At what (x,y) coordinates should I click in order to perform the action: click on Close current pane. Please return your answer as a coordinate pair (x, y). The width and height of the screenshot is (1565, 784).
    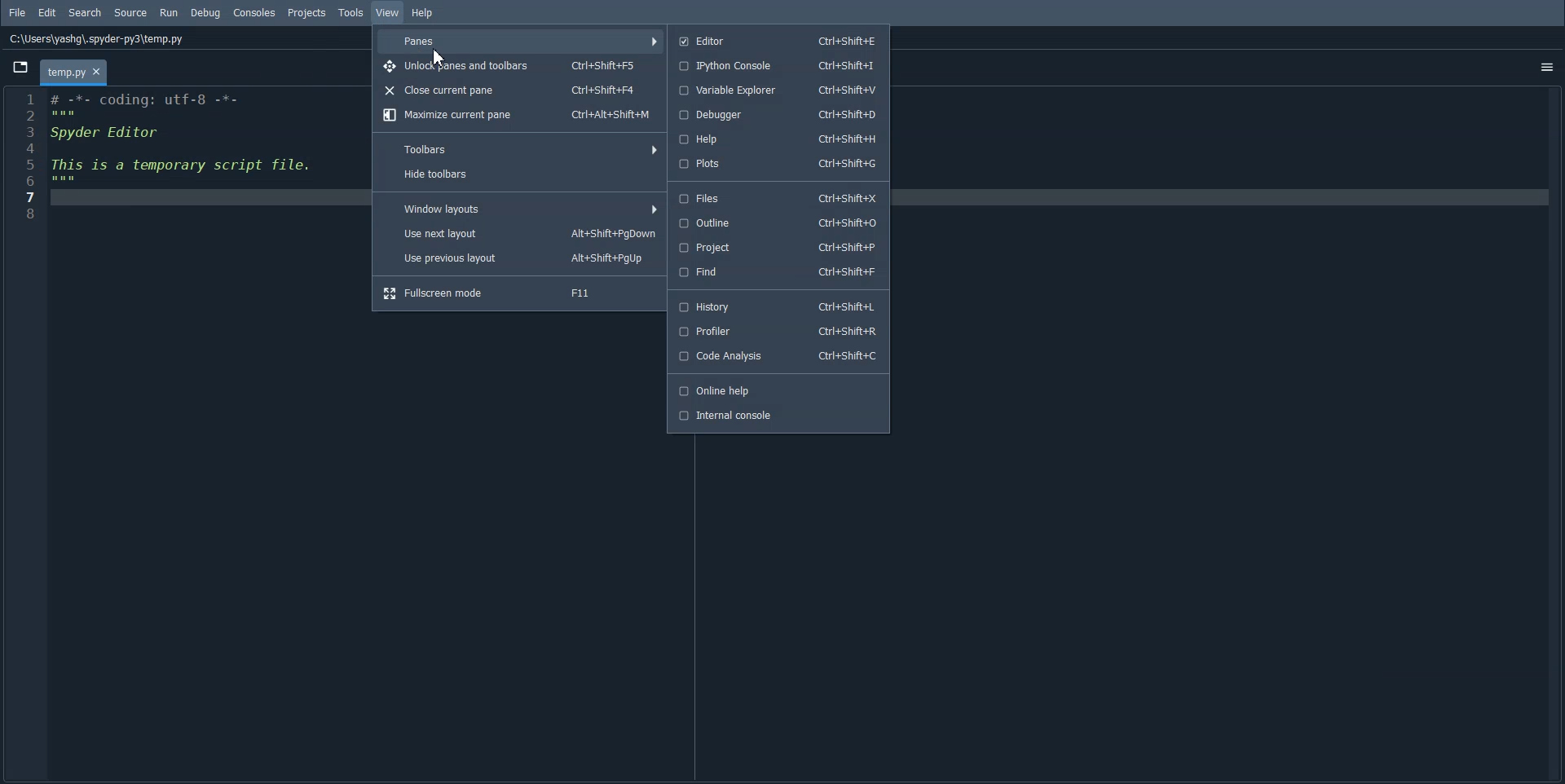
    Looking at the image, I should click on (518, 90).